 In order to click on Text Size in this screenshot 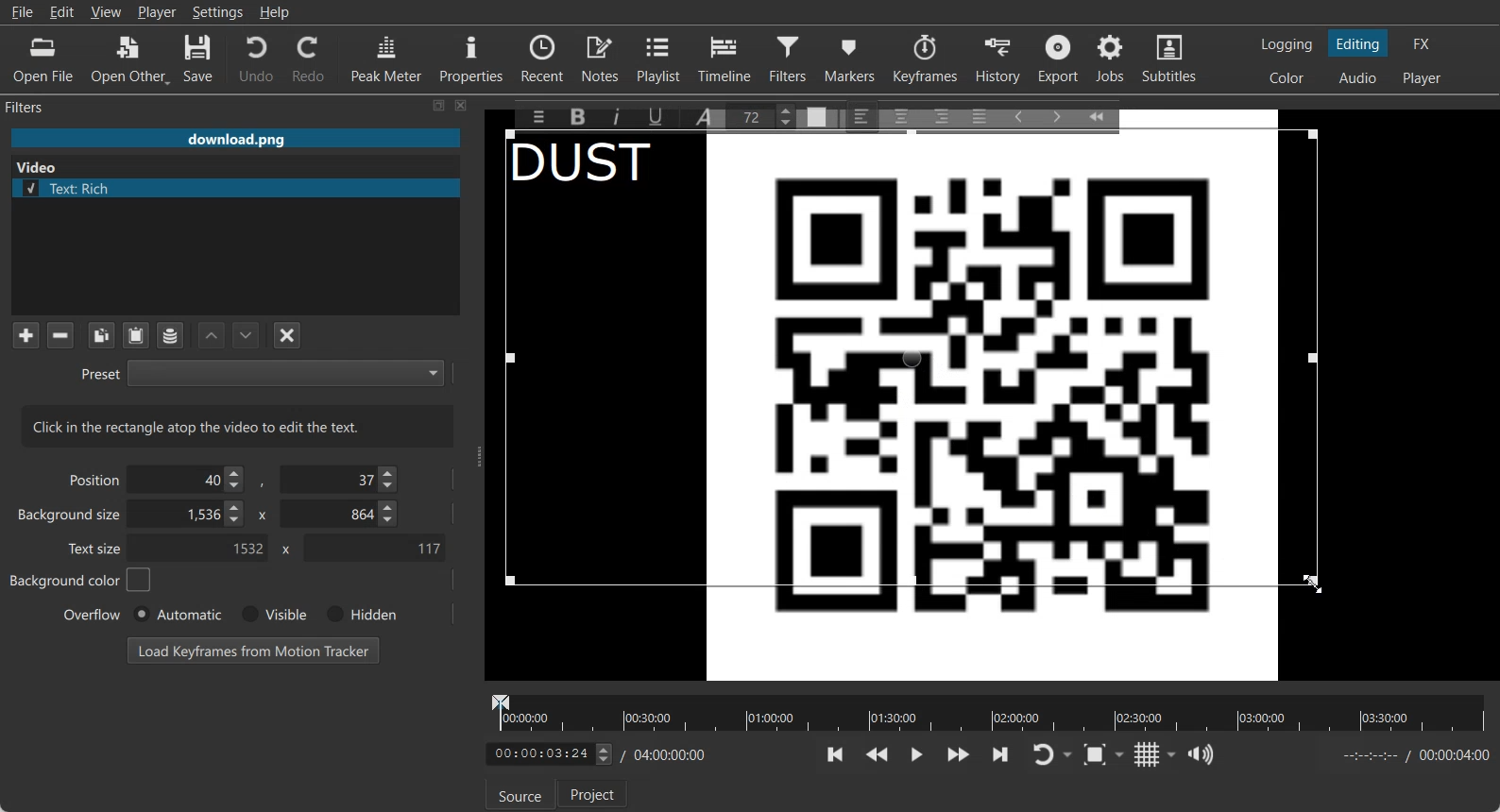, I will do `click(765, 115)`.